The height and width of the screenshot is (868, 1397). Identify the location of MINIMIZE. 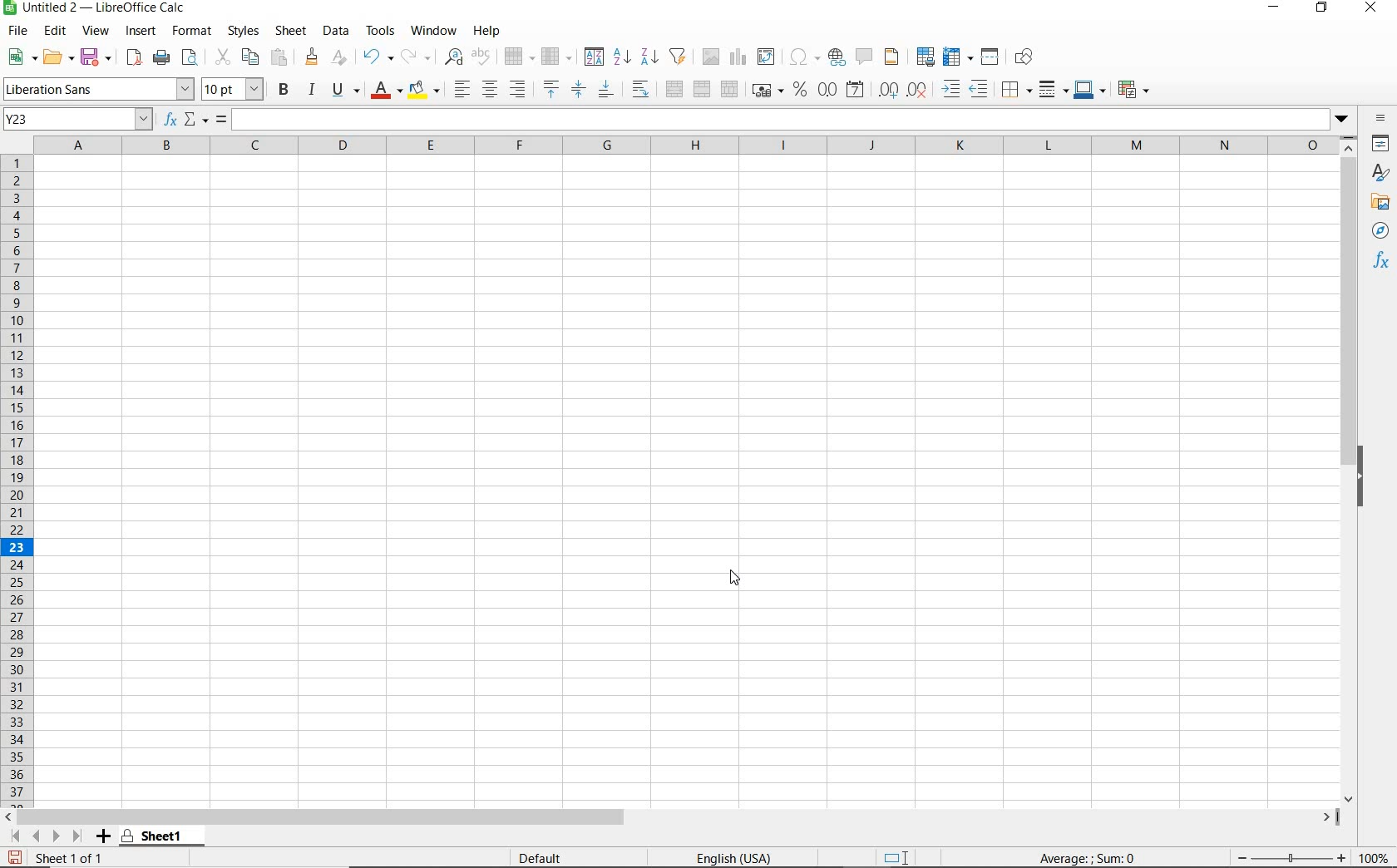
(1276, 8).